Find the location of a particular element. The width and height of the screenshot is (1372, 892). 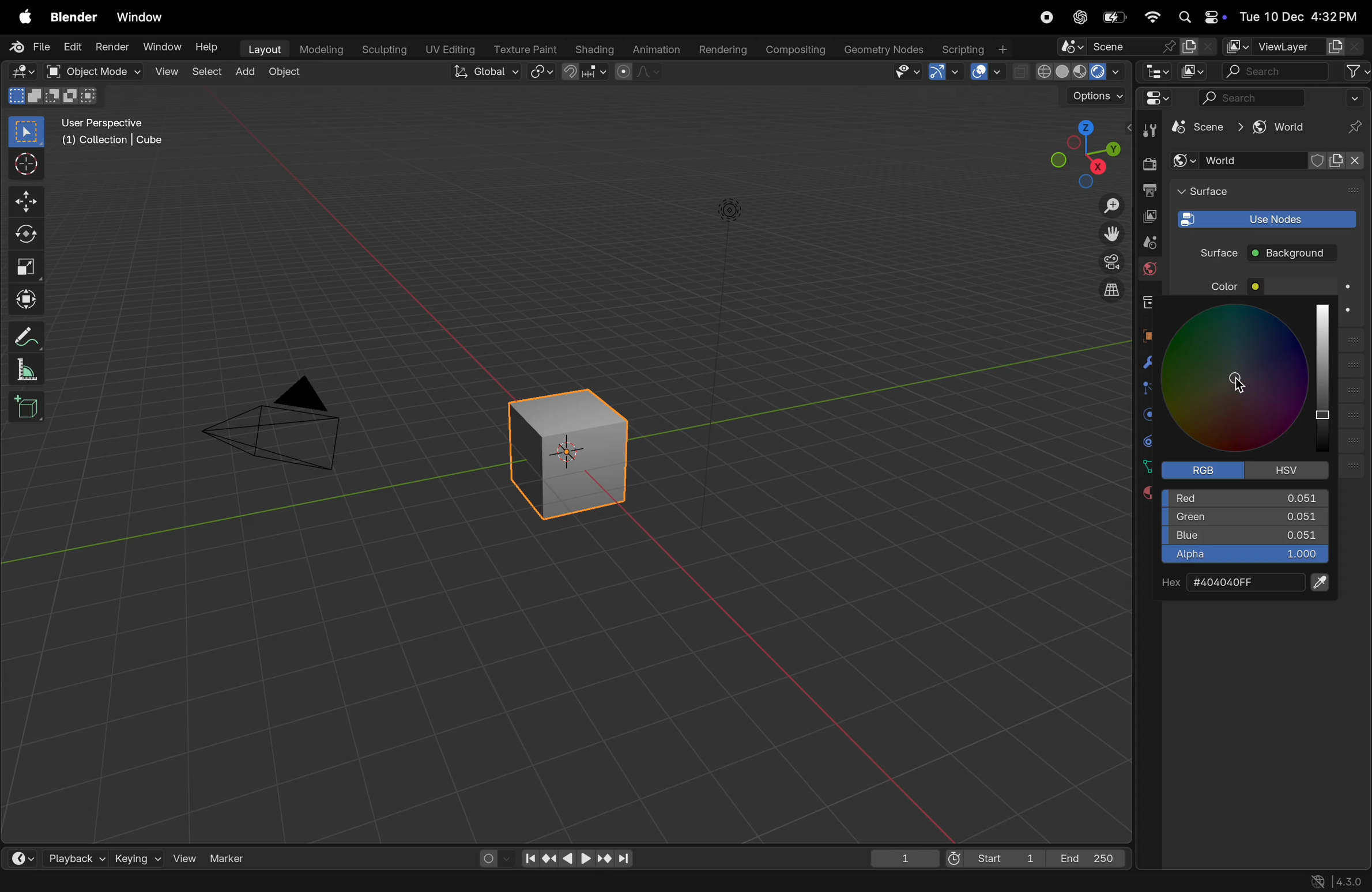

trasnform pviot is located at coordinates (543, 71).